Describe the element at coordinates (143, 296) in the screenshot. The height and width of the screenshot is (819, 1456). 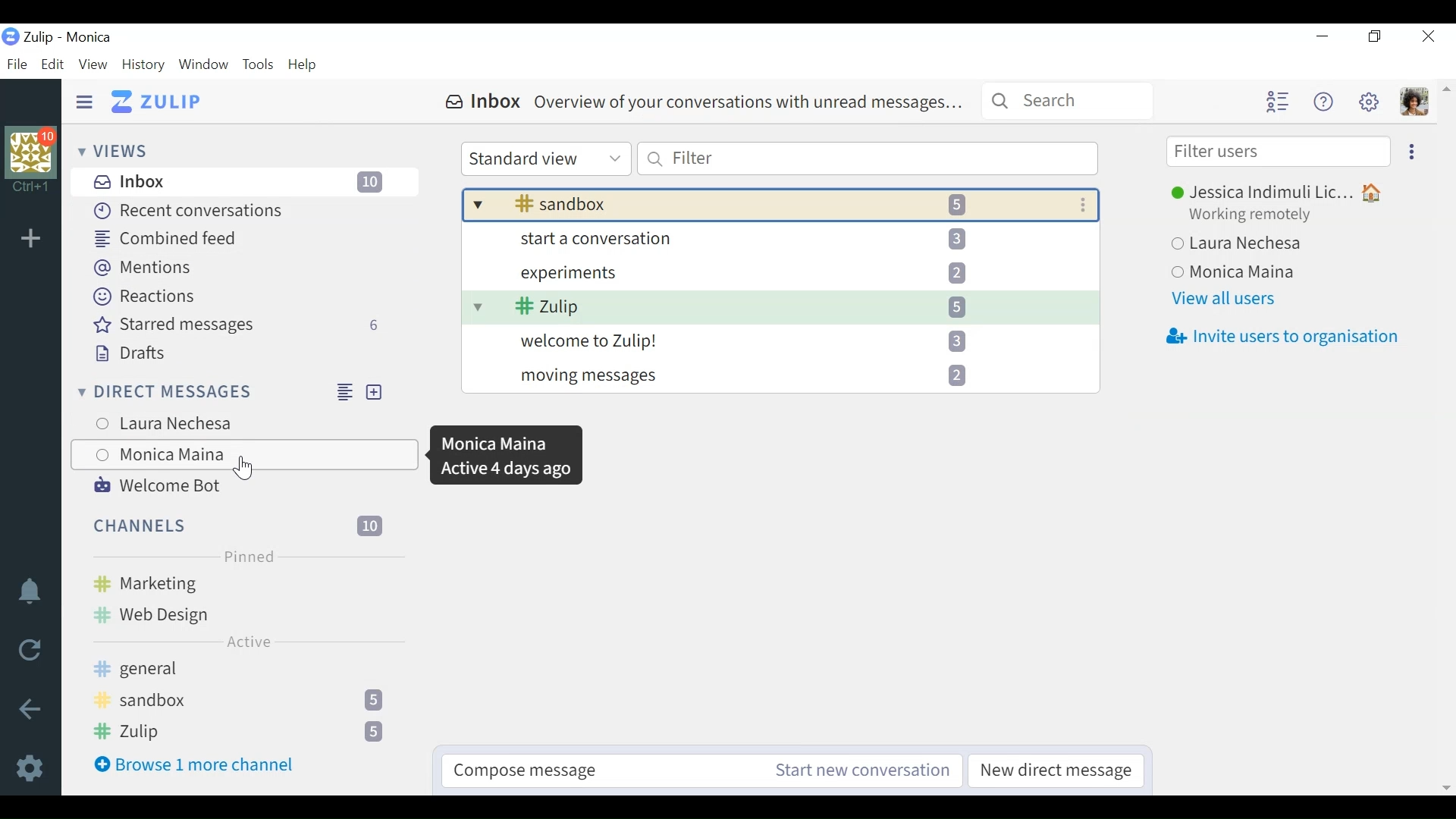
I see `Reactions` at that location.